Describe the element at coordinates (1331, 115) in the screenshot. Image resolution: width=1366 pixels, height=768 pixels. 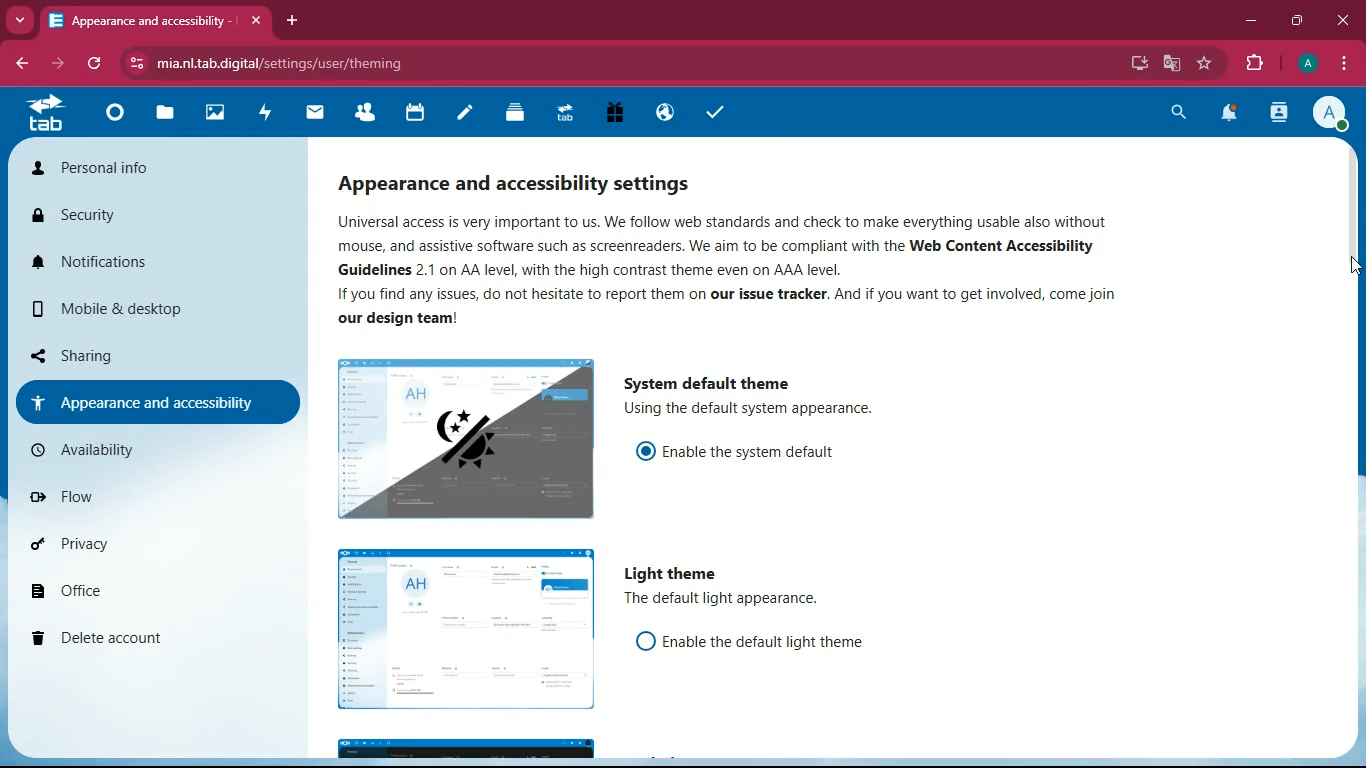
I see `profile` at that location.